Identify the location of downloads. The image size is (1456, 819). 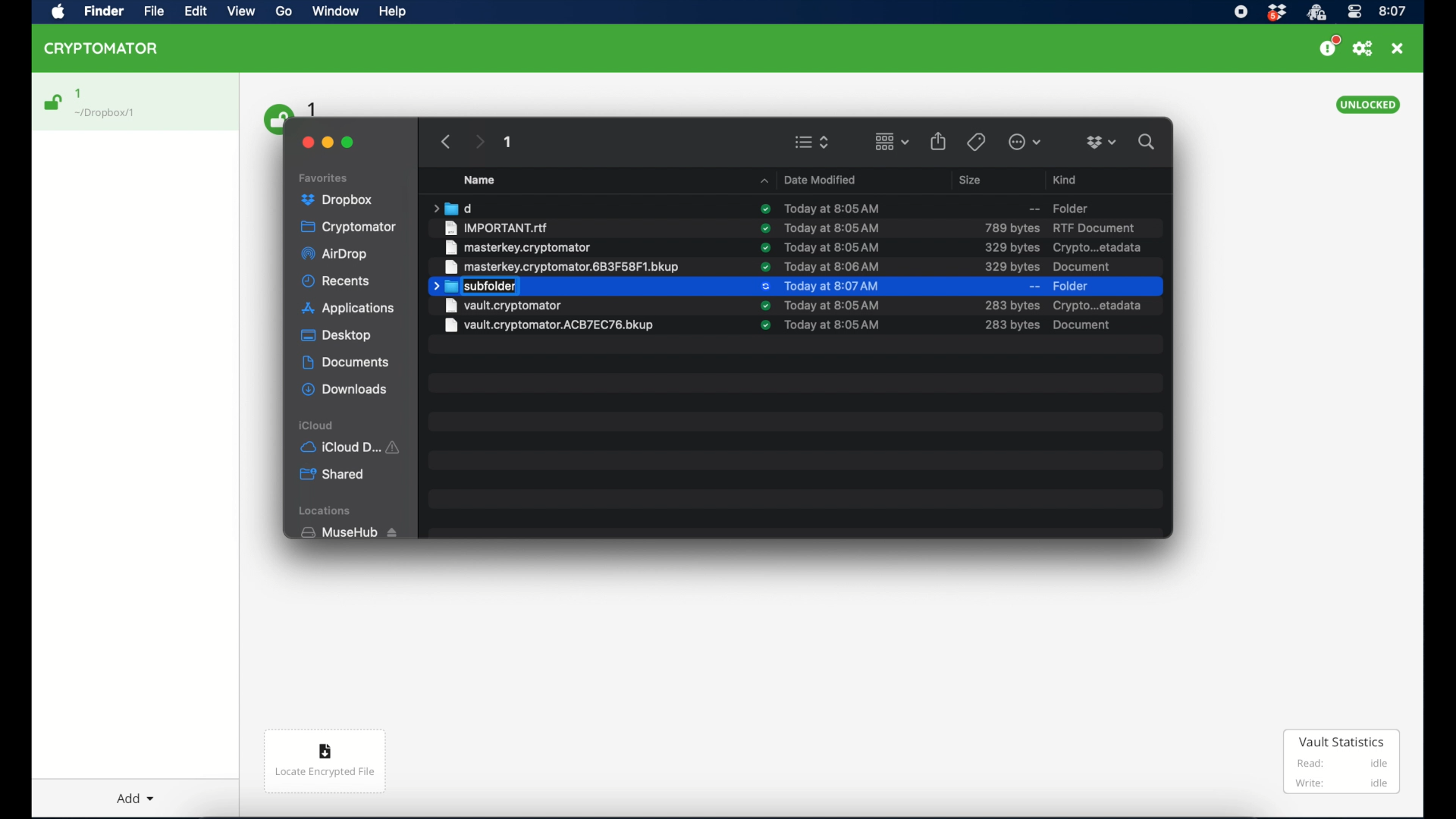
(344, 389).